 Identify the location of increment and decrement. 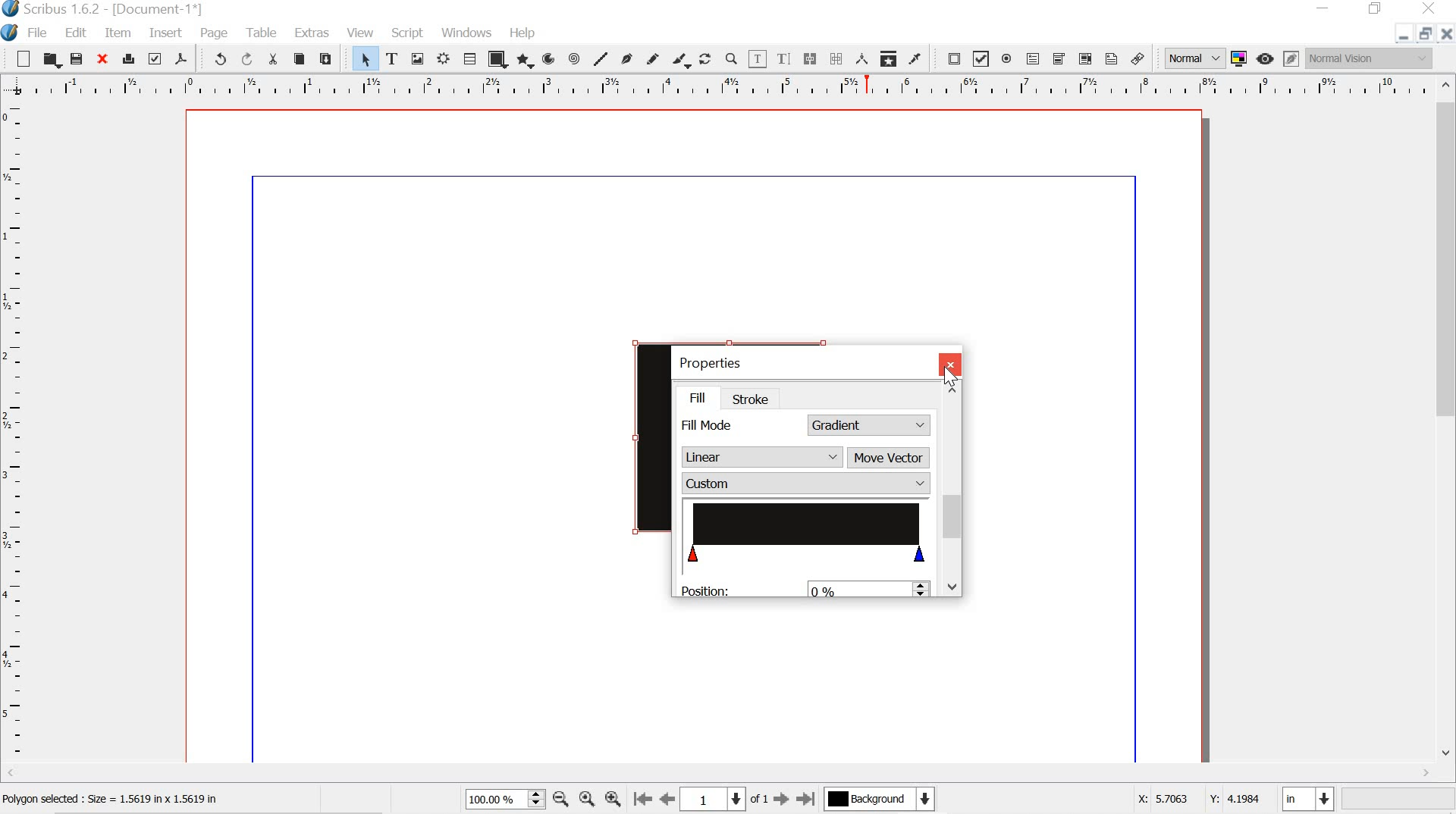
(923, 590).